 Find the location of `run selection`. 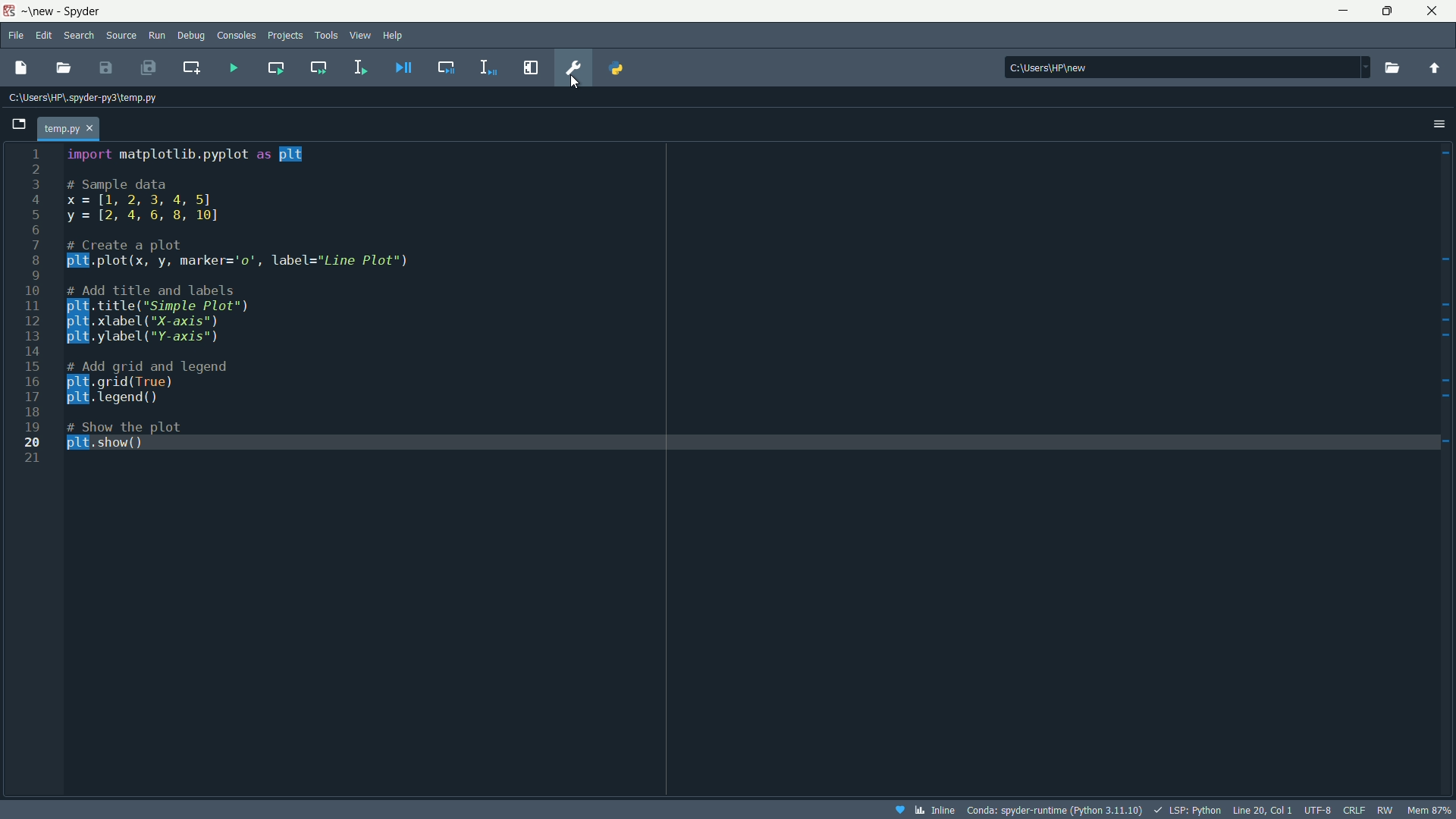

run selection is located at coordinates (359, 67).